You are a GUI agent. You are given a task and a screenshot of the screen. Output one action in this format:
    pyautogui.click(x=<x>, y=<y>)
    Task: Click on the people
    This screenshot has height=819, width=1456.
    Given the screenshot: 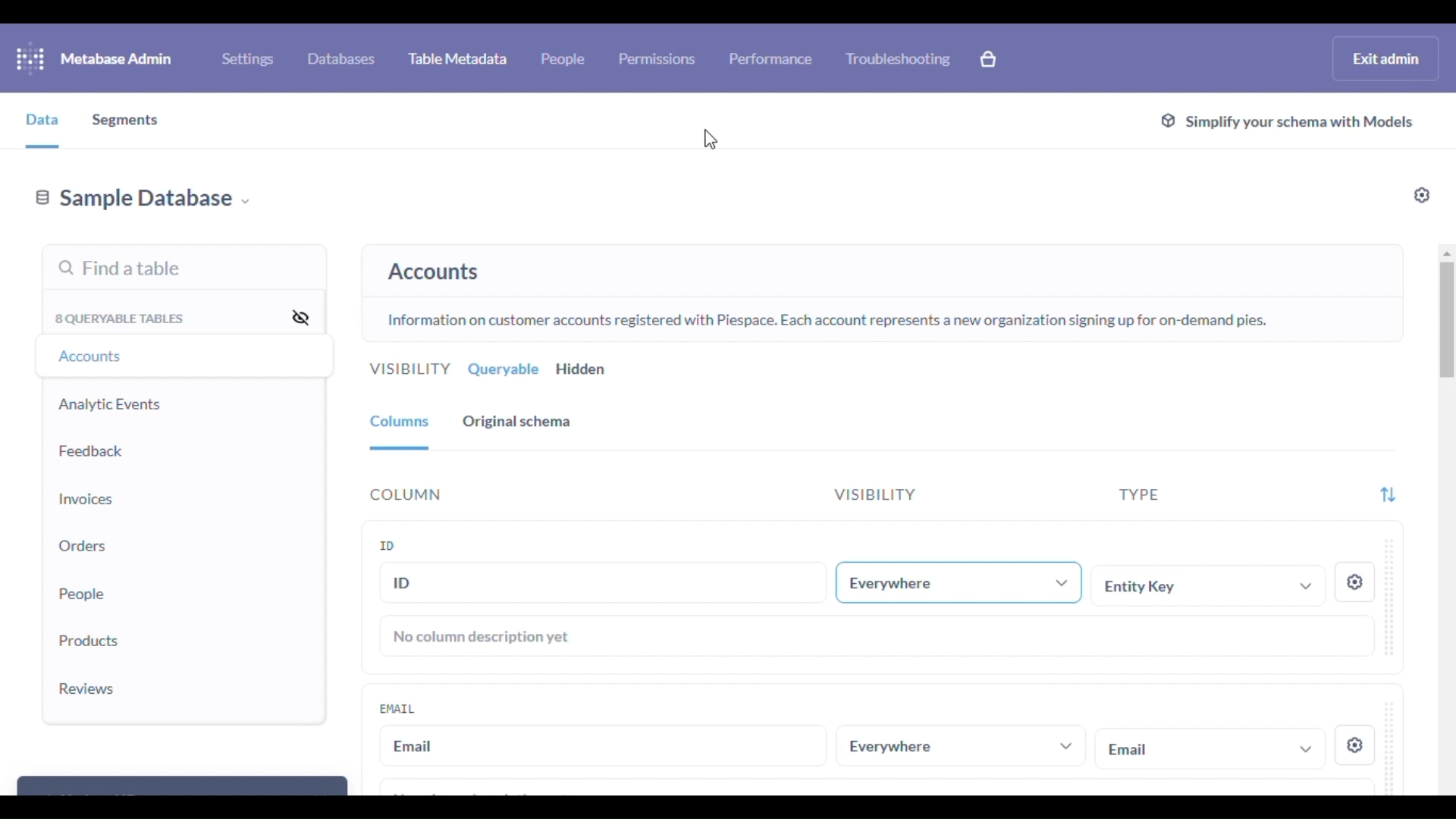 What is the action you would take?
    pyautogui.click(x=563, y=58)
    